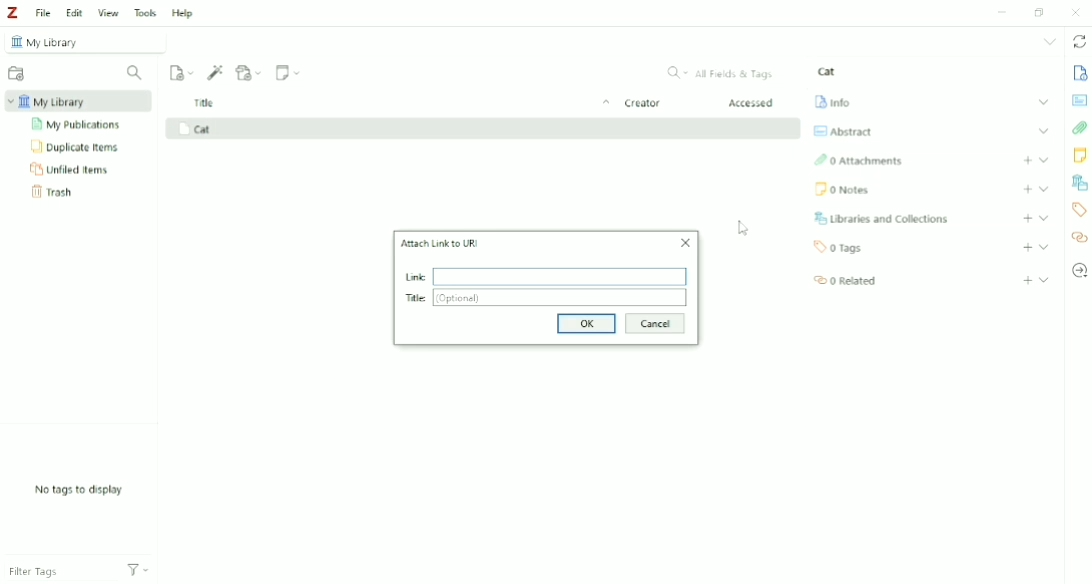 Image resolution: width=1092 pixels, height=584 pixels. What do you see at coordinates (1079, 238) in the screenshot?
I see `Related` at bounding box center [1079, 238].